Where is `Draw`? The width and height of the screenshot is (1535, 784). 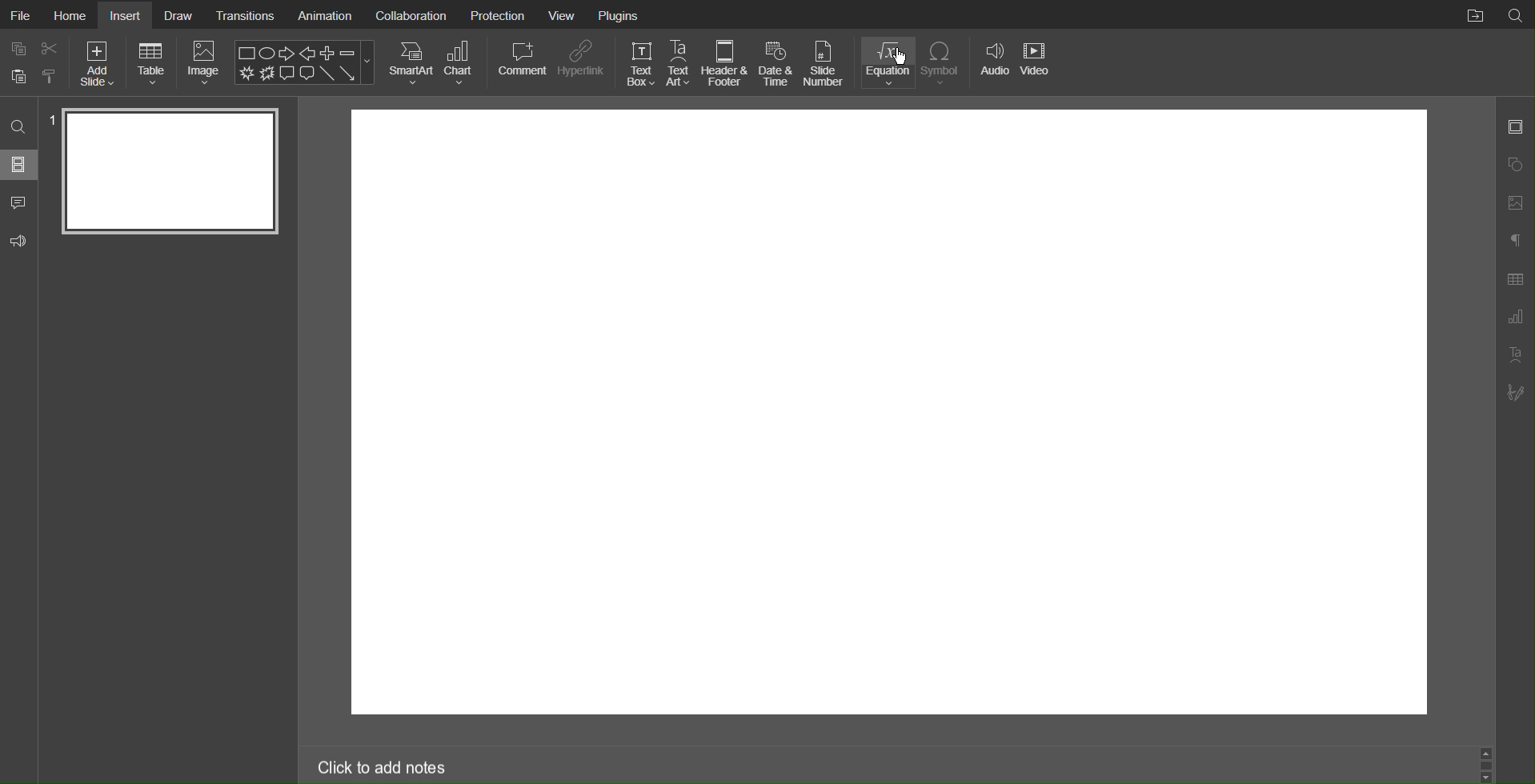 Draw is located at coordinates (185, 16).